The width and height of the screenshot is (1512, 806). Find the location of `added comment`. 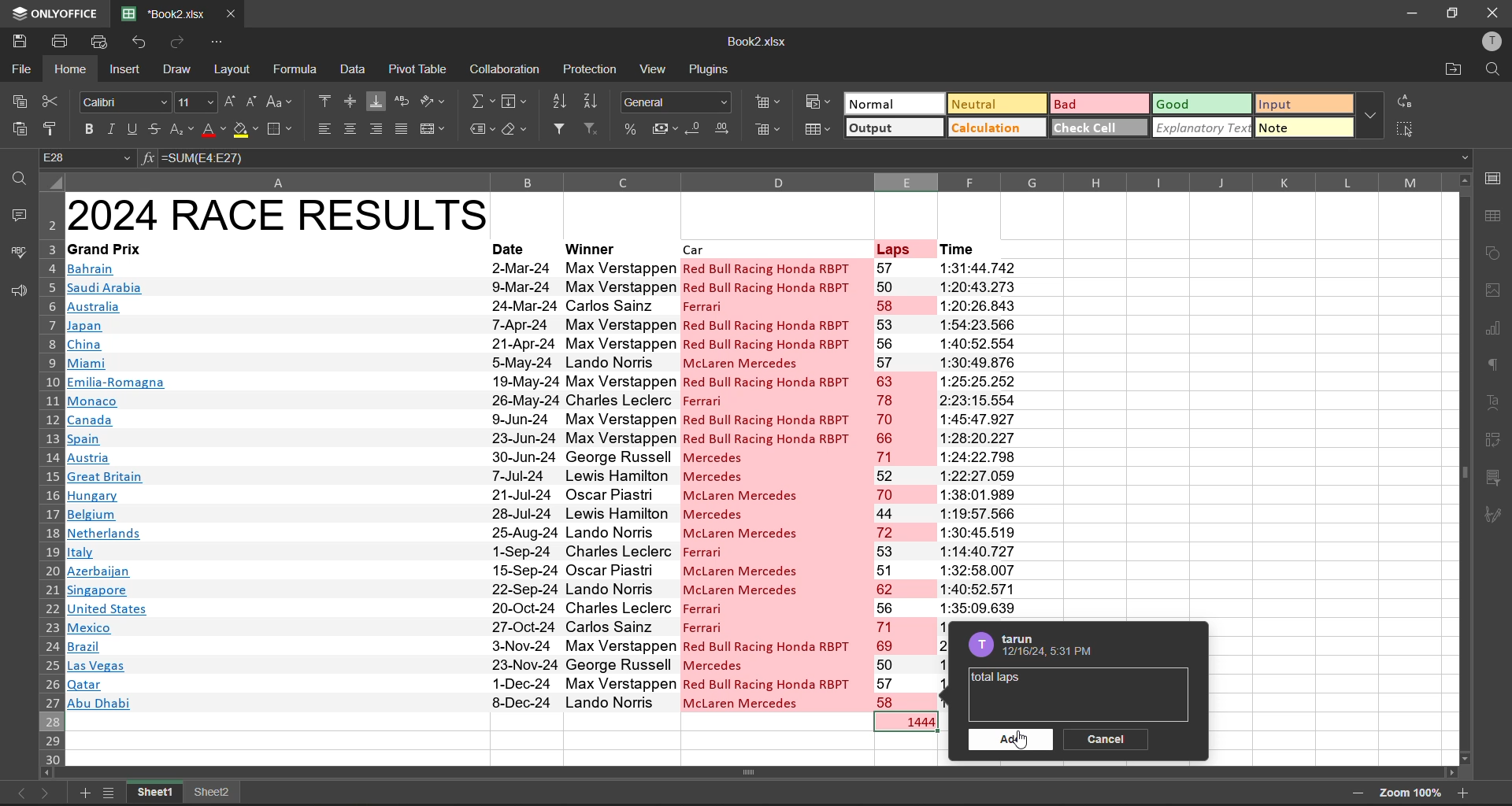

added comment is located at coordinates (996, 678).